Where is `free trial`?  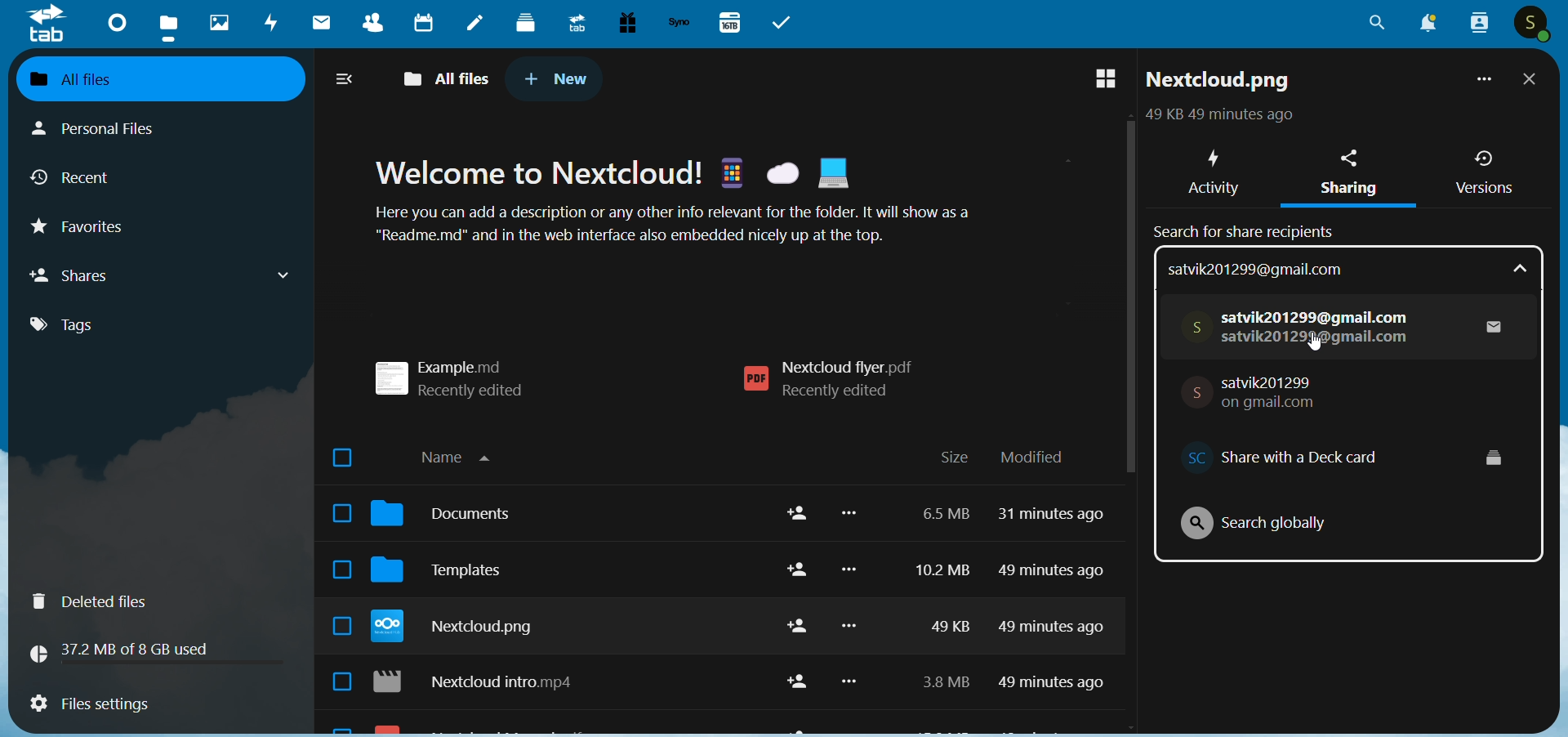 free trial is located at coordinates (623, 23).